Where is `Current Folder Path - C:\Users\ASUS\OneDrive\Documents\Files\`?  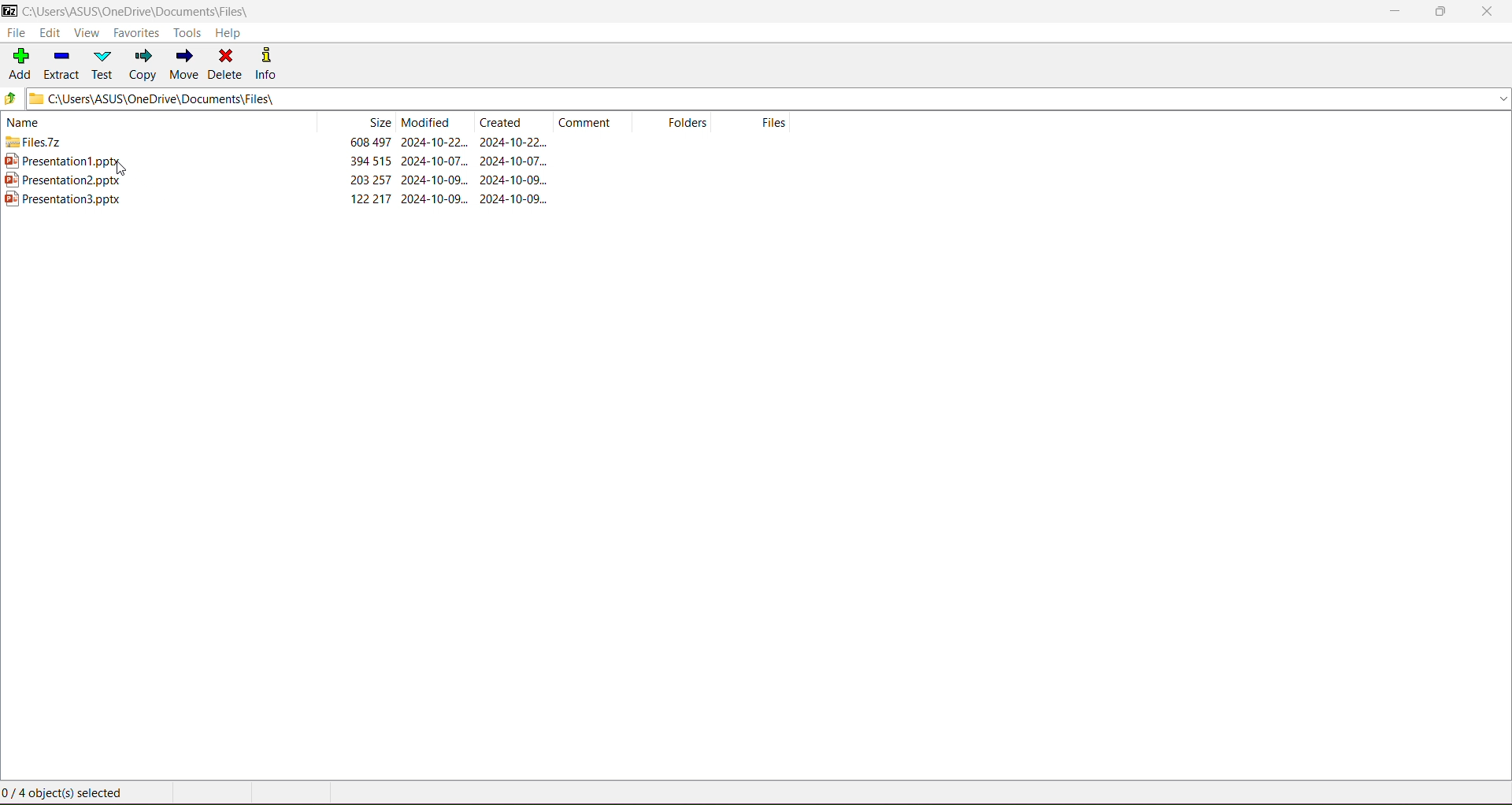
Current Folder Path - C:\Users\ASUS\OneDrive\Documents\Files\ is located at coordinates (463, 99).